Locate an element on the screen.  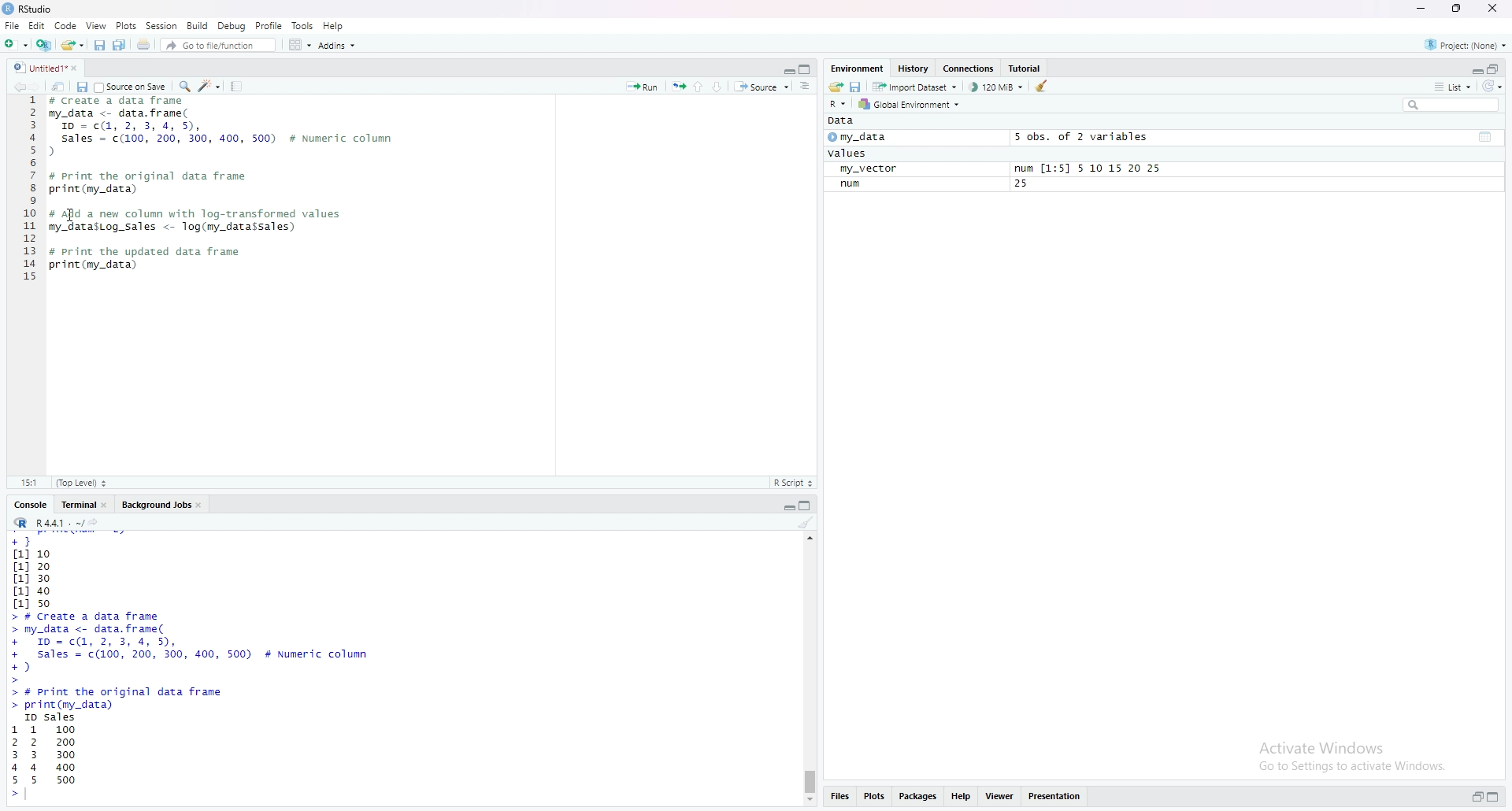
Session is located at coordinates (159, 25).